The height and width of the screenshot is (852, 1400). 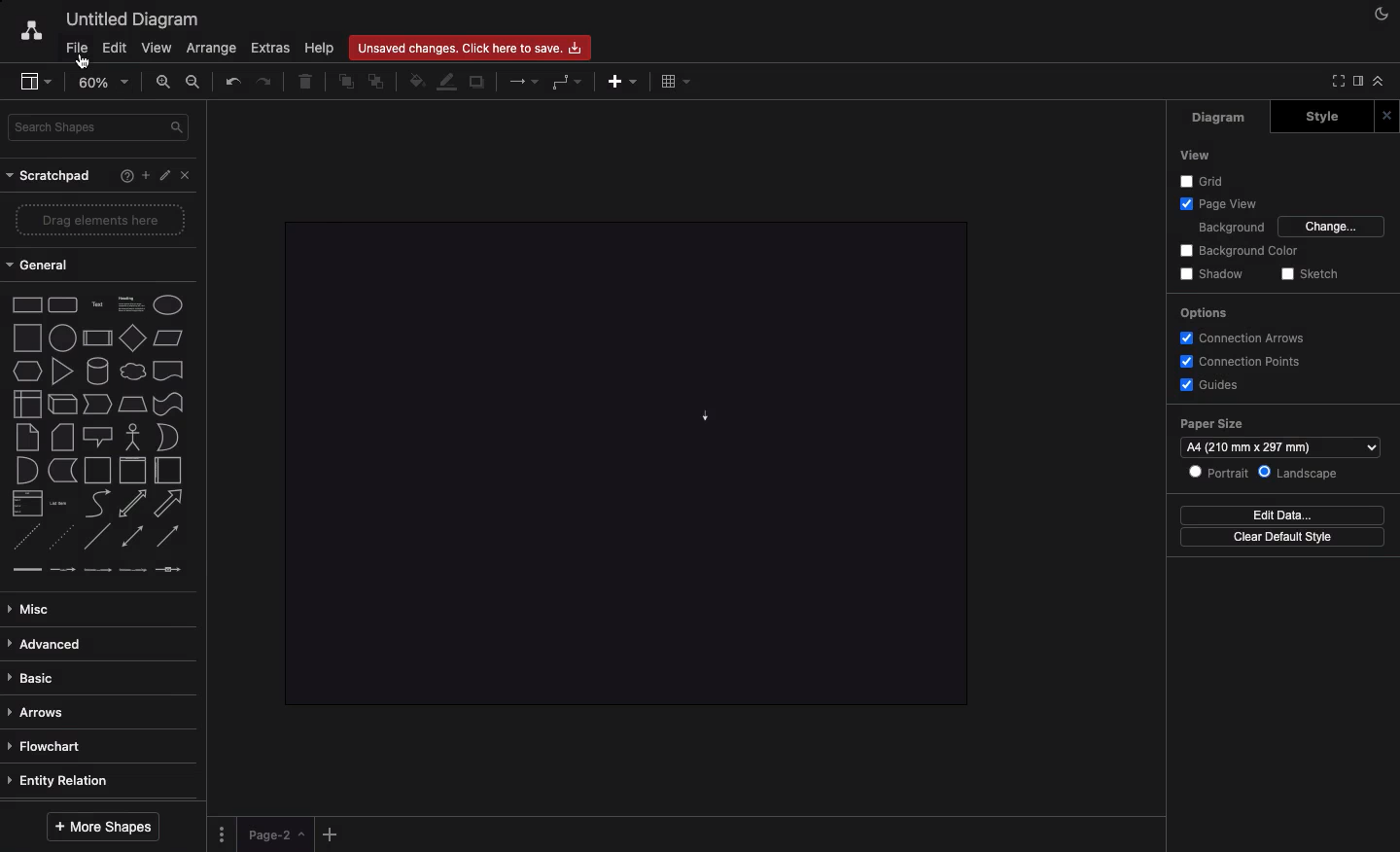 I want to click on Options, so click(x=225, y=833).